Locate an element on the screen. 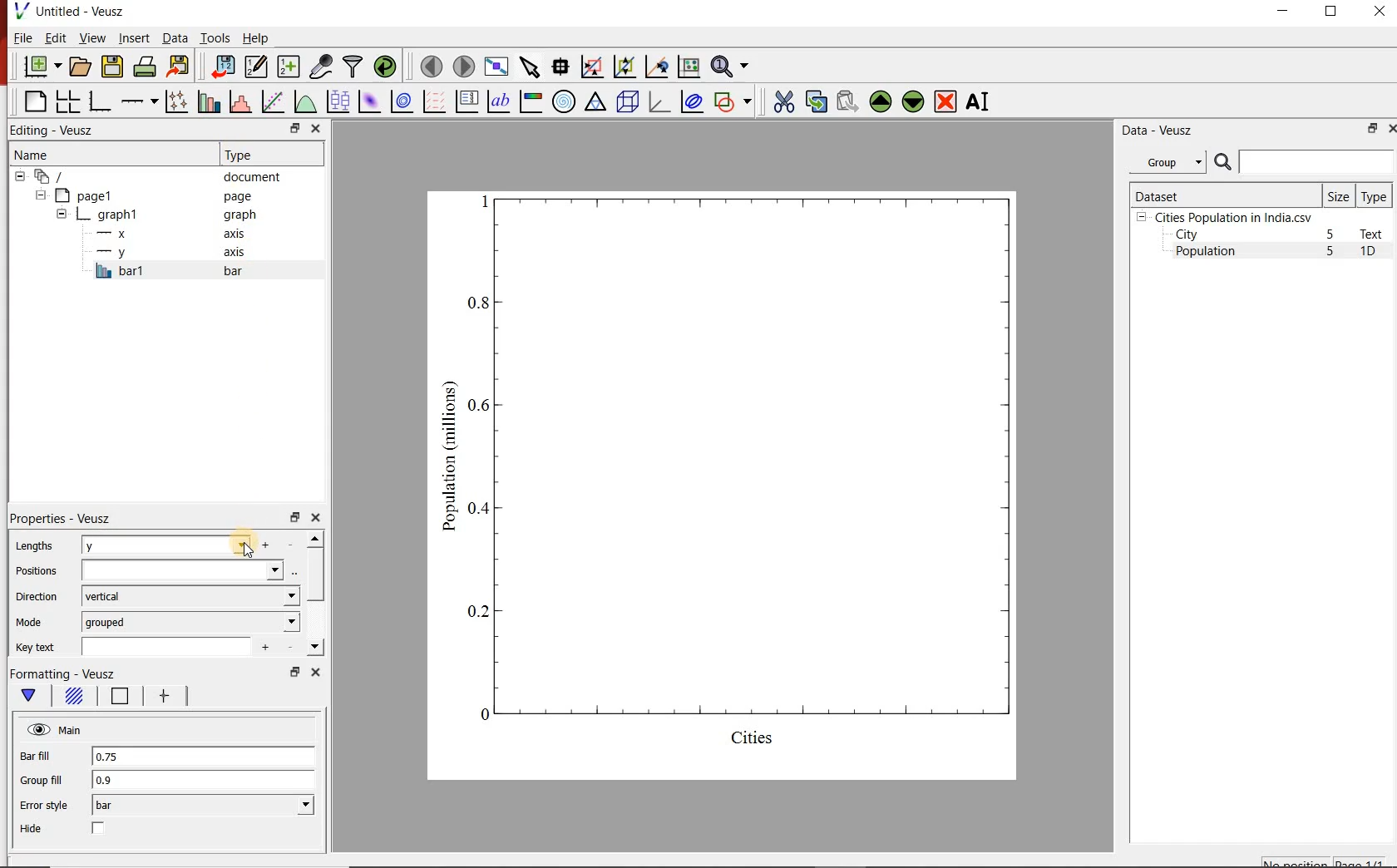 This screenshot has width=1397, height=868. import data into Veusz is located at coordinates (222, 66).